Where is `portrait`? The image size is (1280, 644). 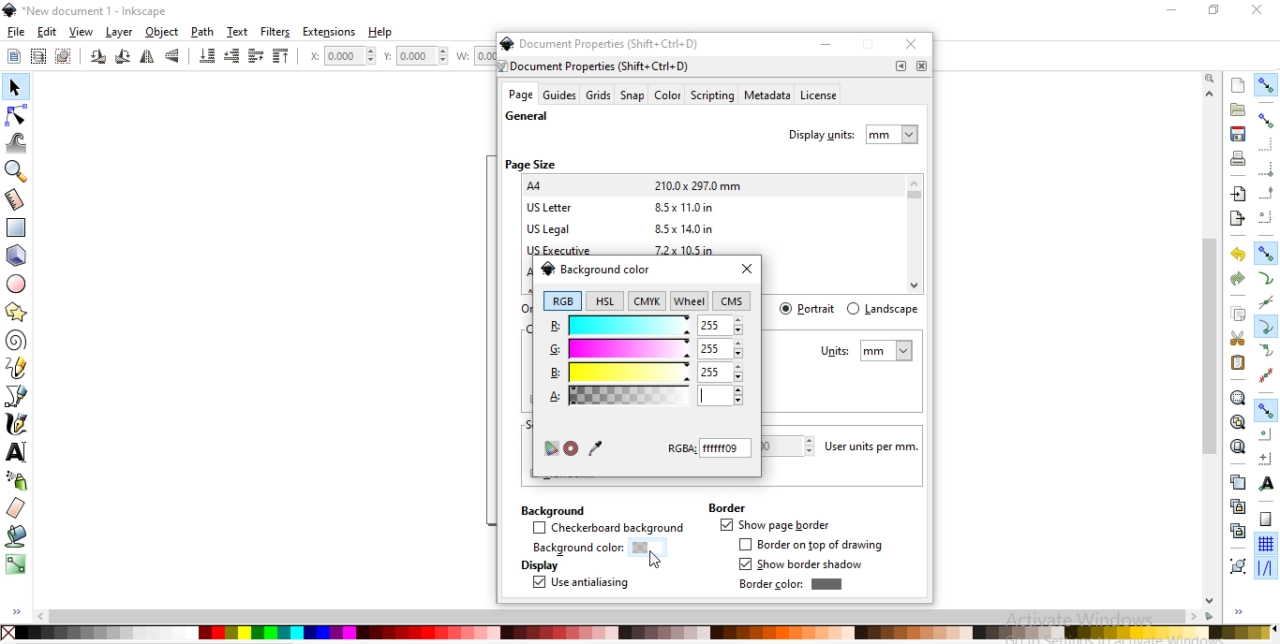
portrait is located at coordinates (809, 308).